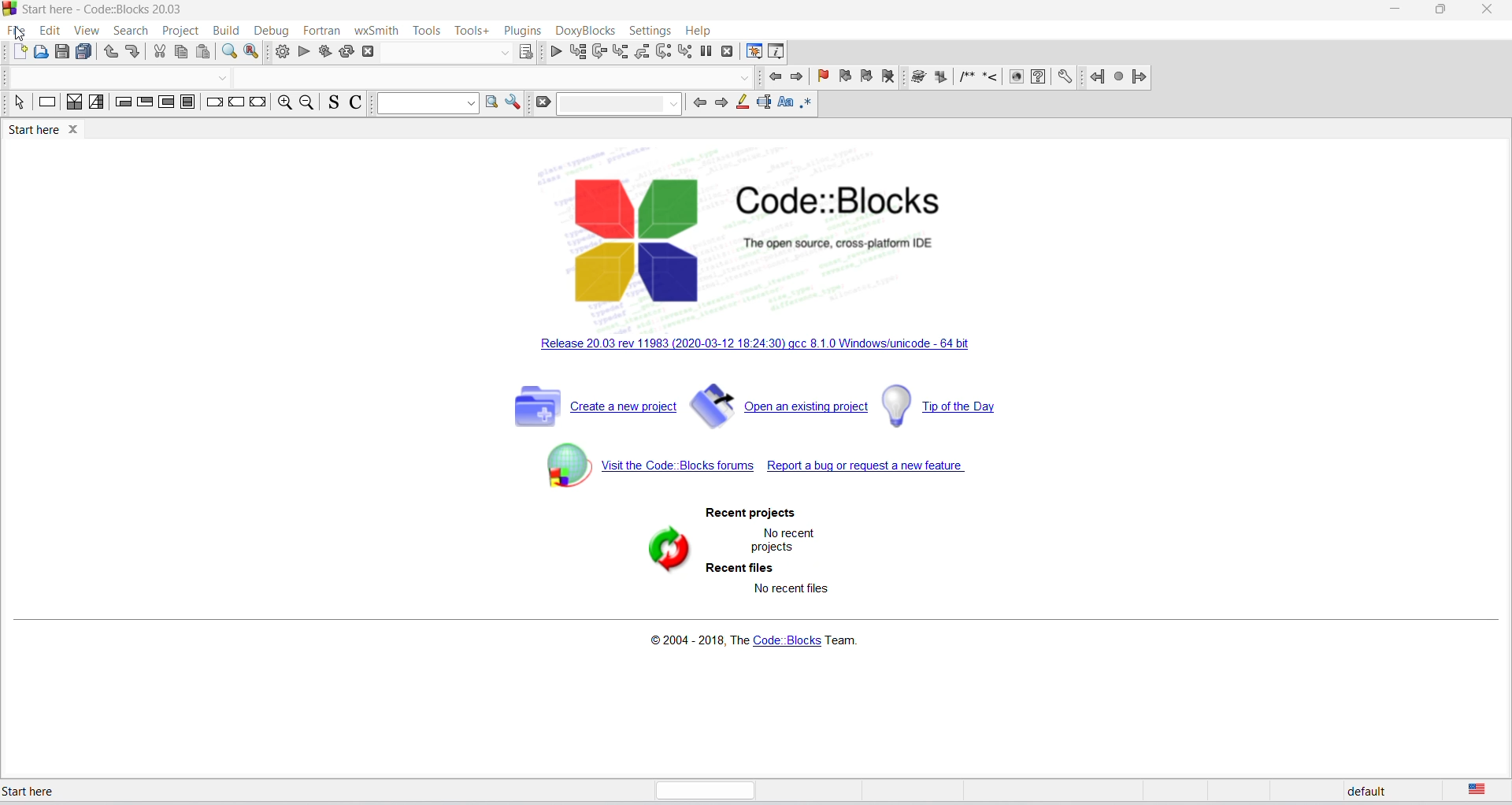  Describe the element at coordinates (346, 54) in the screenshot. I see `rebuild` at that location.